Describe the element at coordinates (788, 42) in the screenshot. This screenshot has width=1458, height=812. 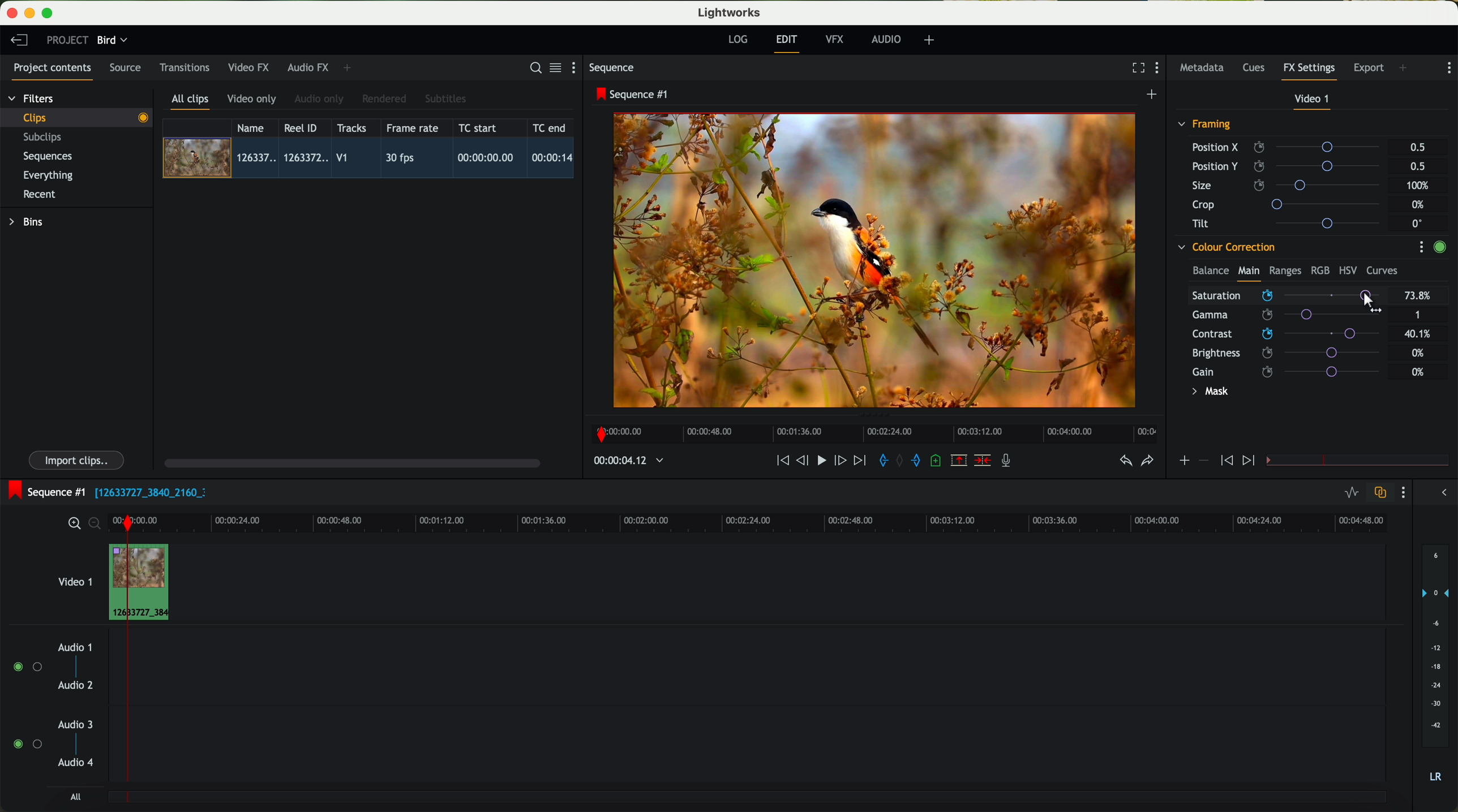
I see `edit` at that location.